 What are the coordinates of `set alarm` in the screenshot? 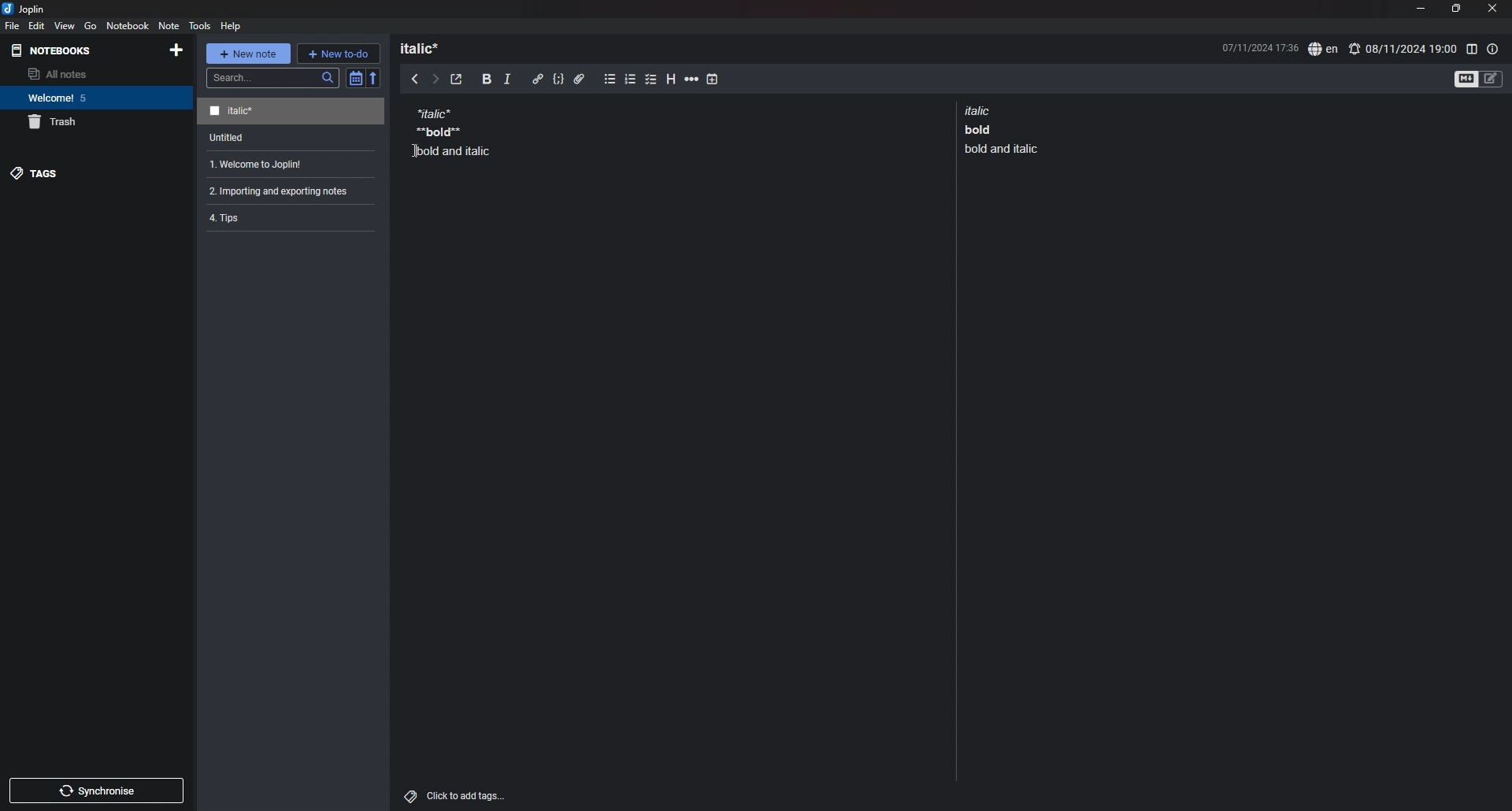 It's located at (1403, 48).